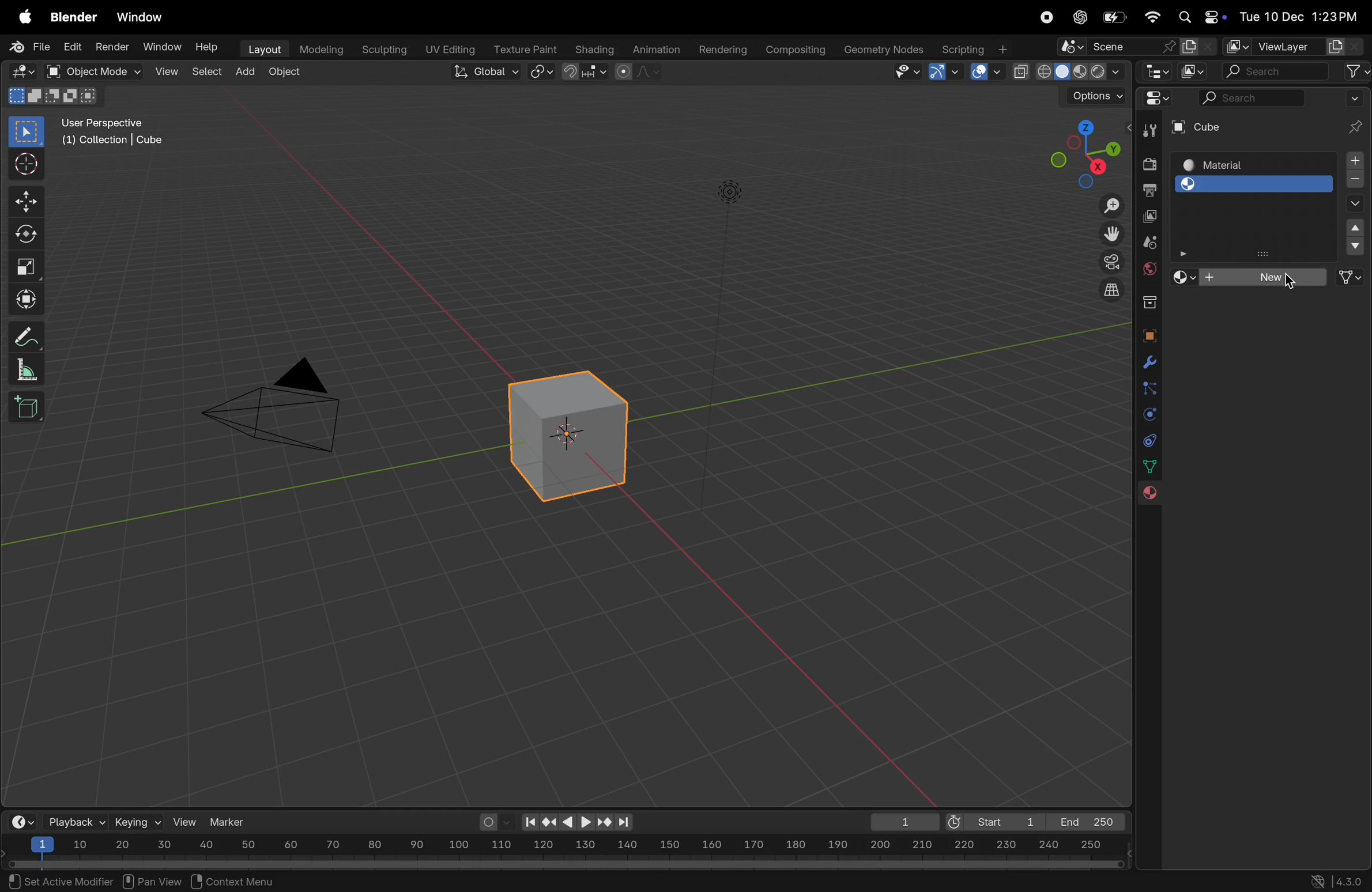 This screenshot has width=1372, height=892. What do you see at coordinates (578, 823) in the screenshot?
I see `play back controls` at bounding box center [578, 823].